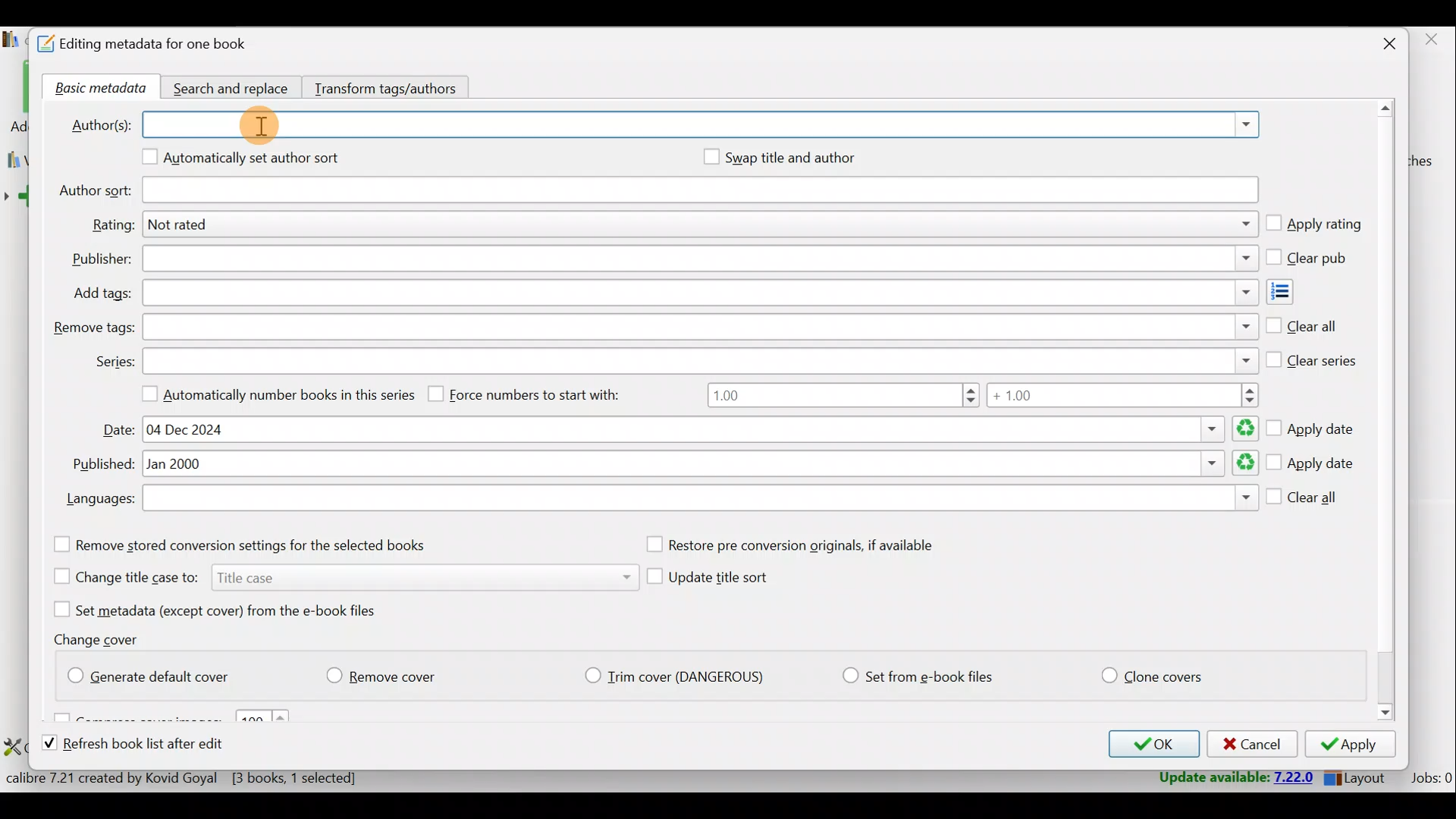 This screenshot has width=1456, height=819. What do you see at coordinates (101, 123) in the screenshot?
I see `Author(s):` at bounding box center [101, 123].